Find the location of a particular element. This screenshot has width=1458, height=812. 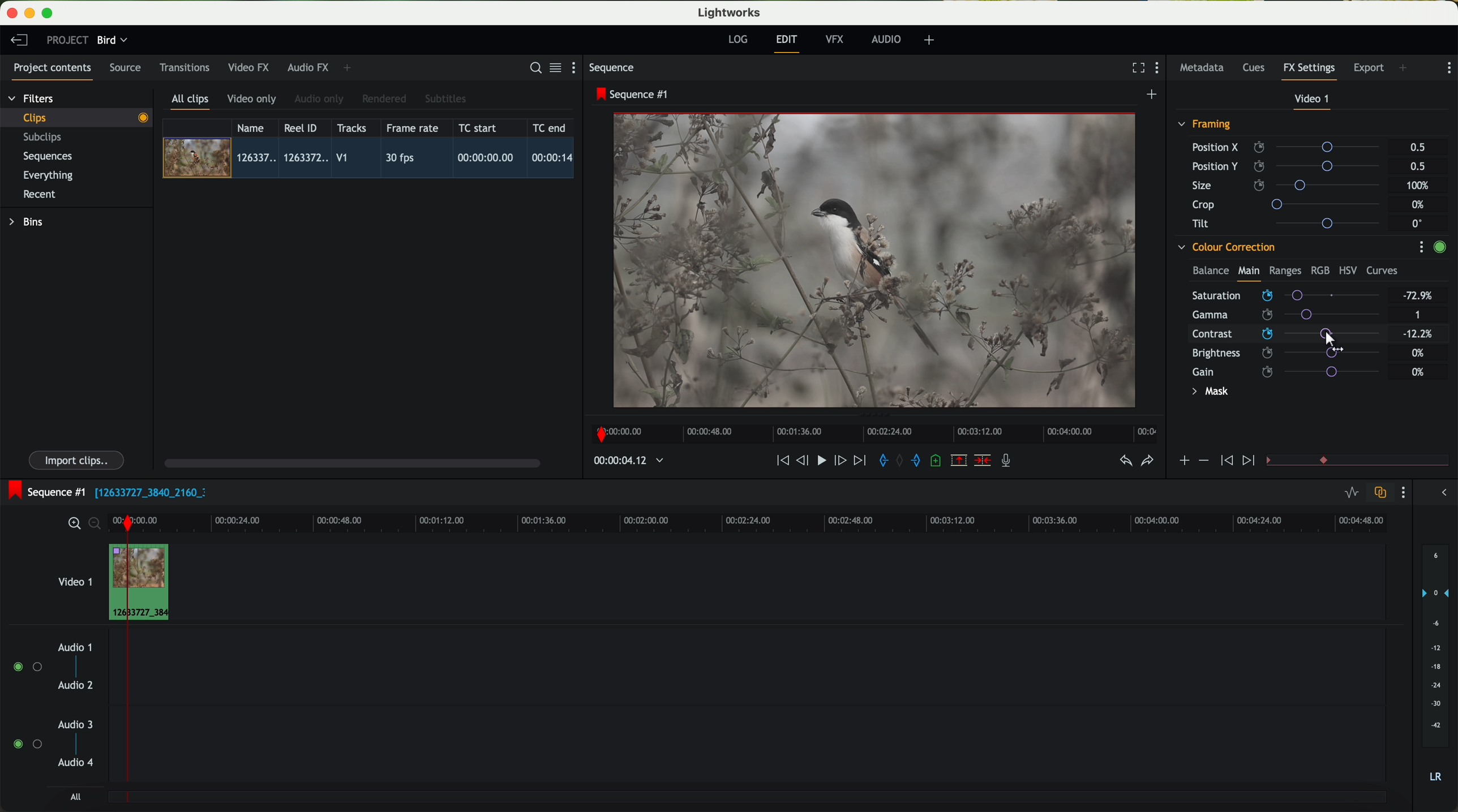

TC end is located at coordinates (550, 127).